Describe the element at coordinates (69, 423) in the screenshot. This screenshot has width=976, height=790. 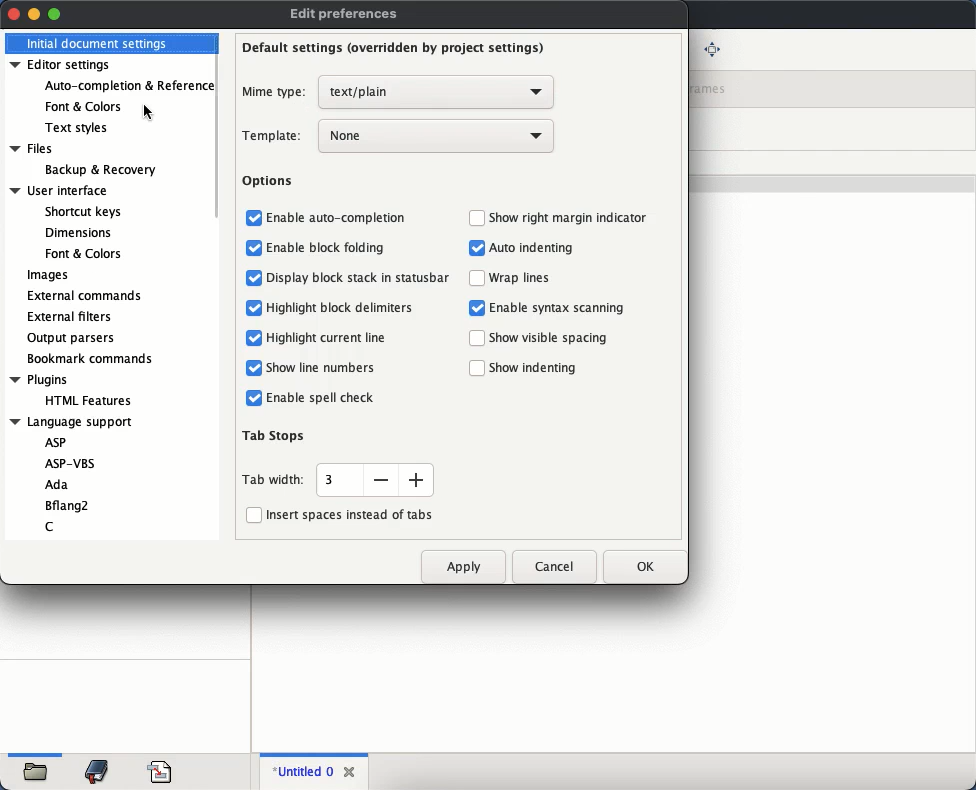
I see `language support` at that location.